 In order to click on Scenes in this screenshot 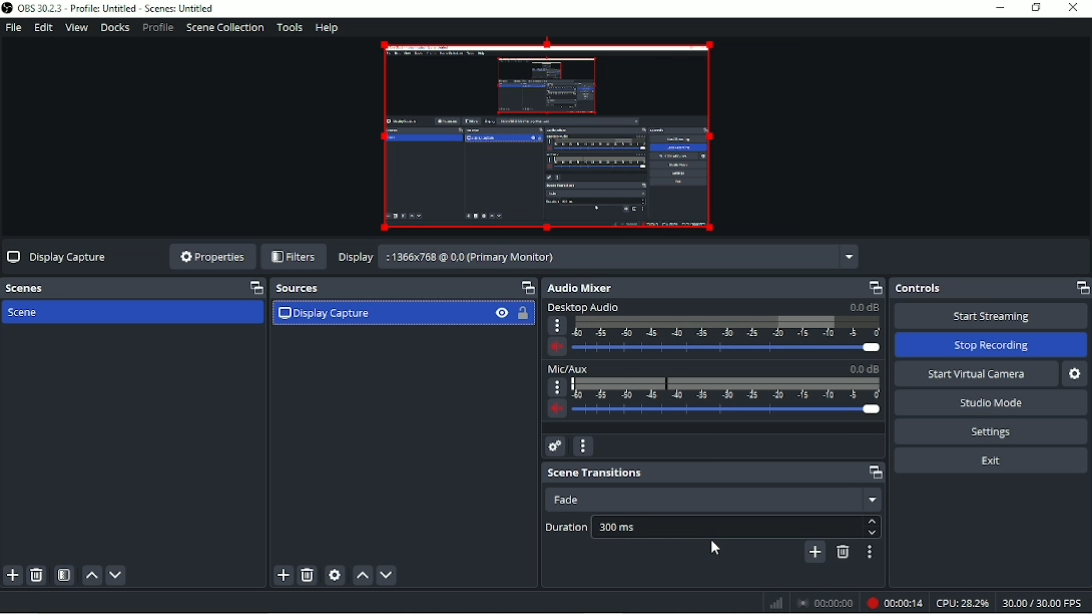, I will do `click(389, 287)`.